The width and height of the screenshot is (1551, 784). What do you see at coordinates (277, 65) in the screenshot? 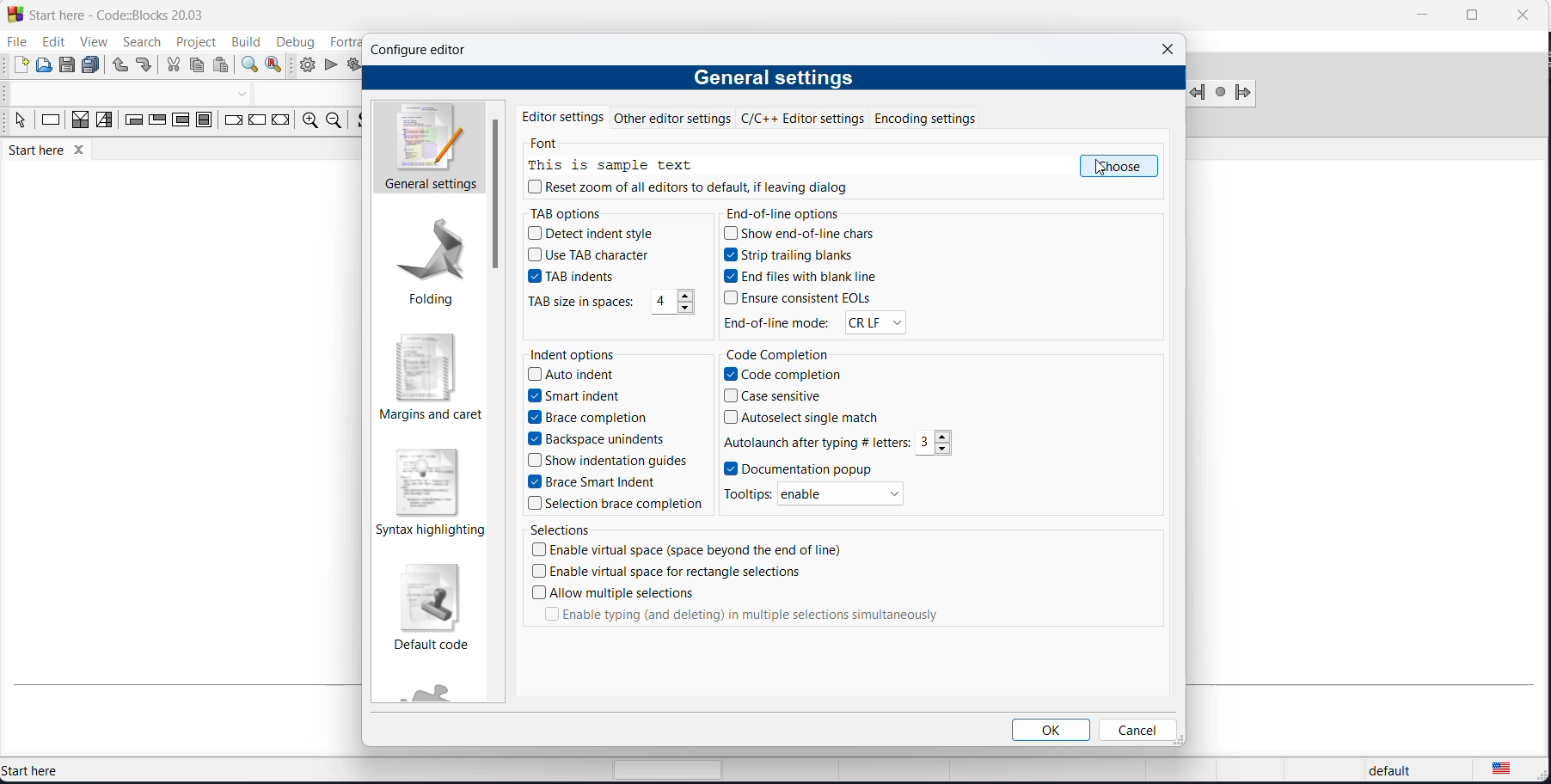
I see `replace` at bounding box center [277, 65].